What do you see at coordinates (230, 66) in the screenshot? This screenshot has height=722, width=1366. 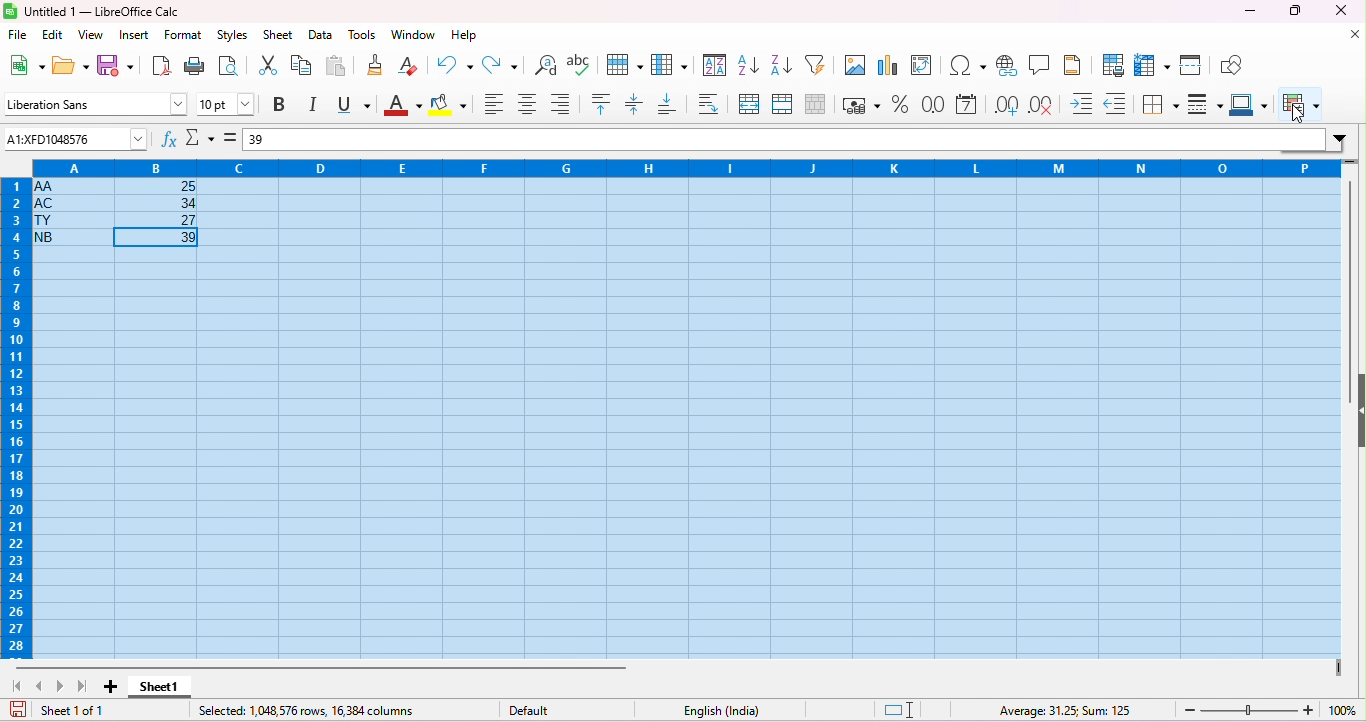 I see `print preview` at bounding box center [230, 66].